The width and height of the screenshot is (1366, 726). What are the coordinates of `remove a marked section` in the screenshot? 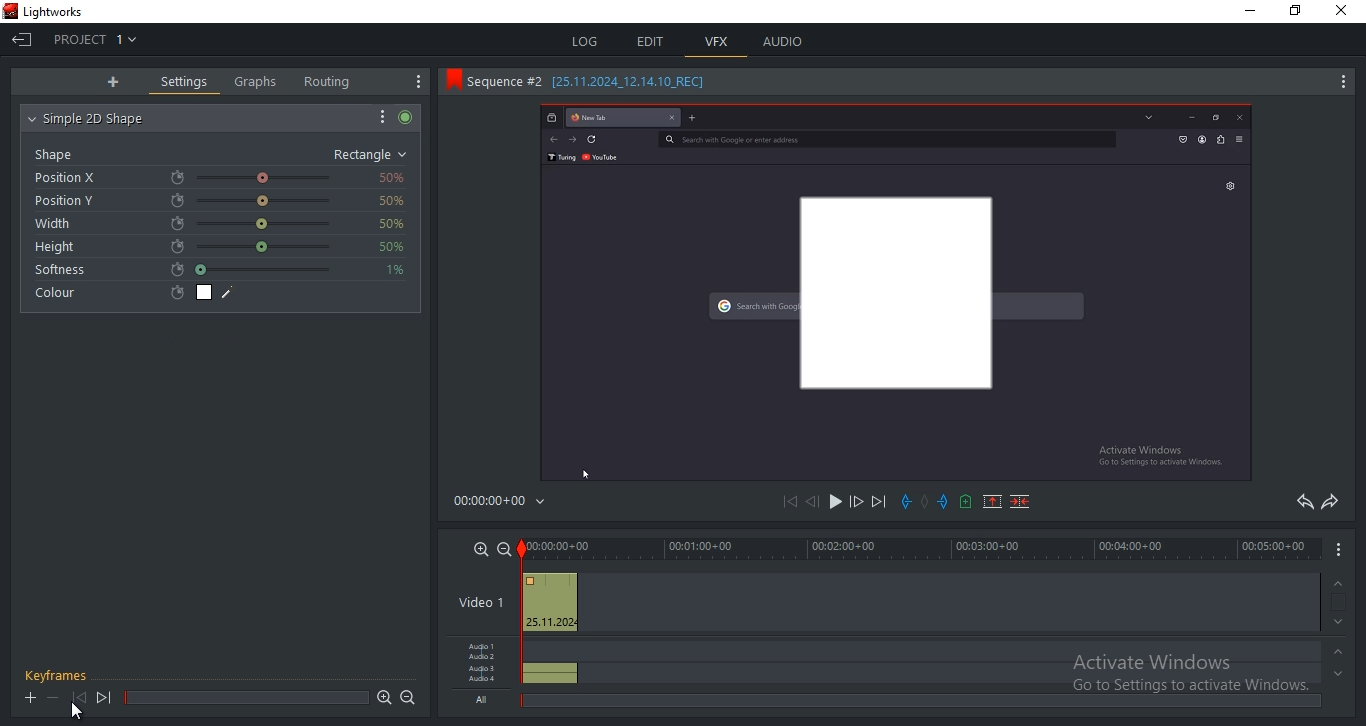 It's located at (990, 500).